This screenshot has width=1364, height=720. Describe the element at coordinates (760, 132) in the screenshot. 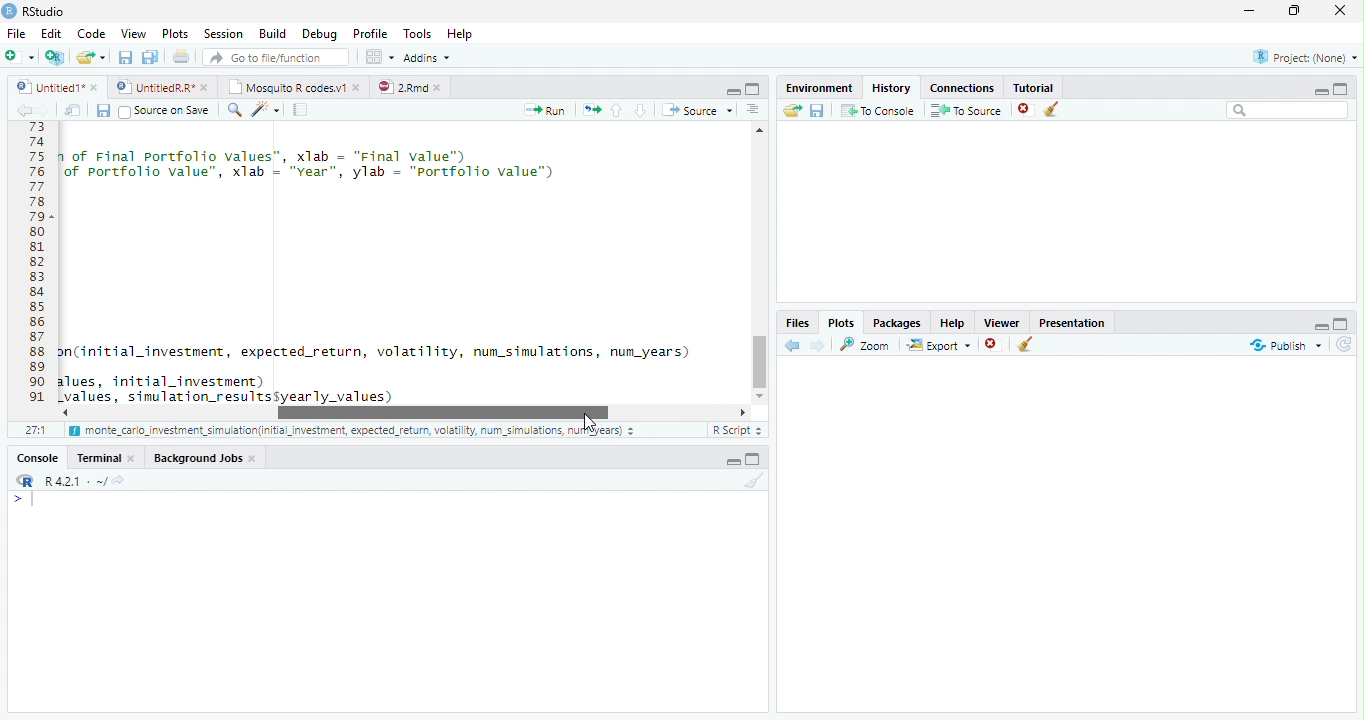

I see `Scroll Up` at that location.